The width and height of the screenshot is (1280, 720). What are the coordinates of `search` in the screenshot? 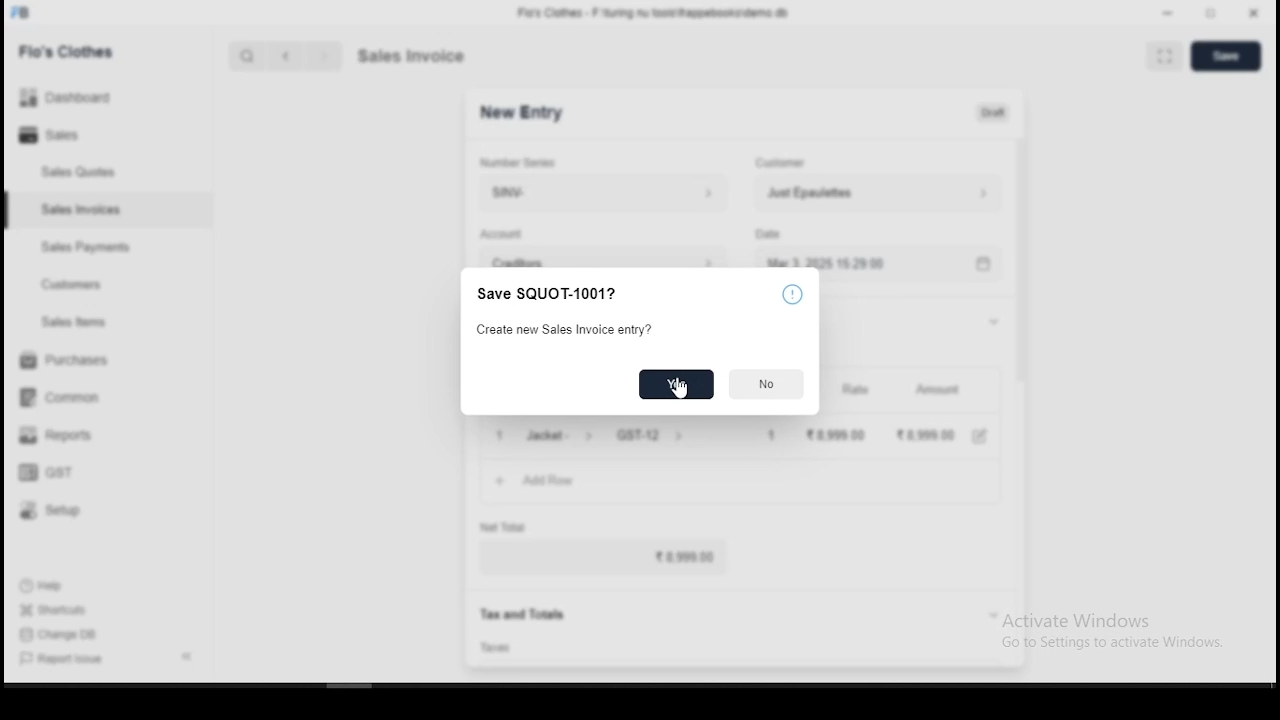 It's located at (247, 55).